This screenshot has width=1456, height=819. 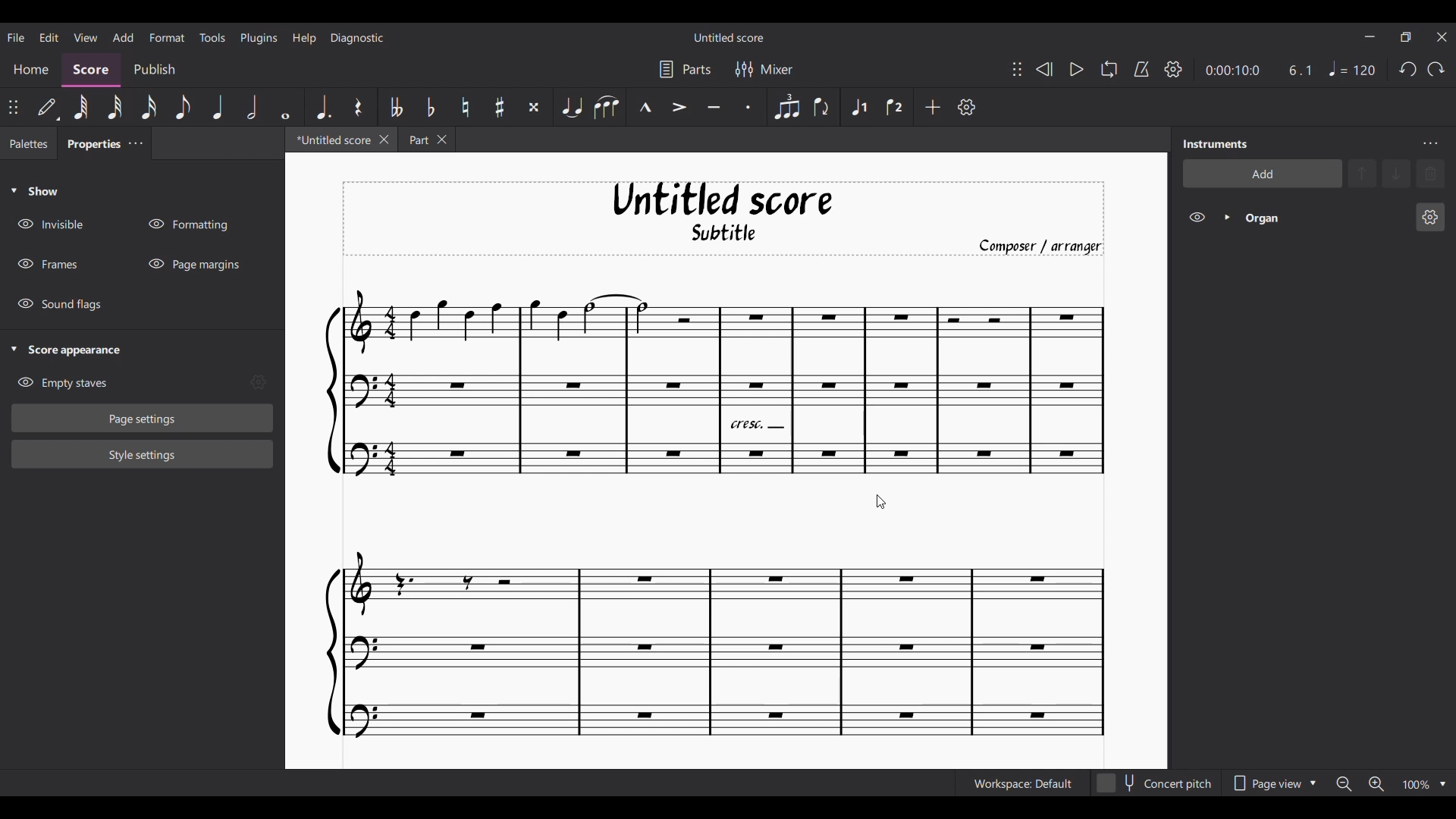 What do you see at coordinates (822, 107) in the screenshot?
I see `Flip direction` at bounding box center [822, 107].